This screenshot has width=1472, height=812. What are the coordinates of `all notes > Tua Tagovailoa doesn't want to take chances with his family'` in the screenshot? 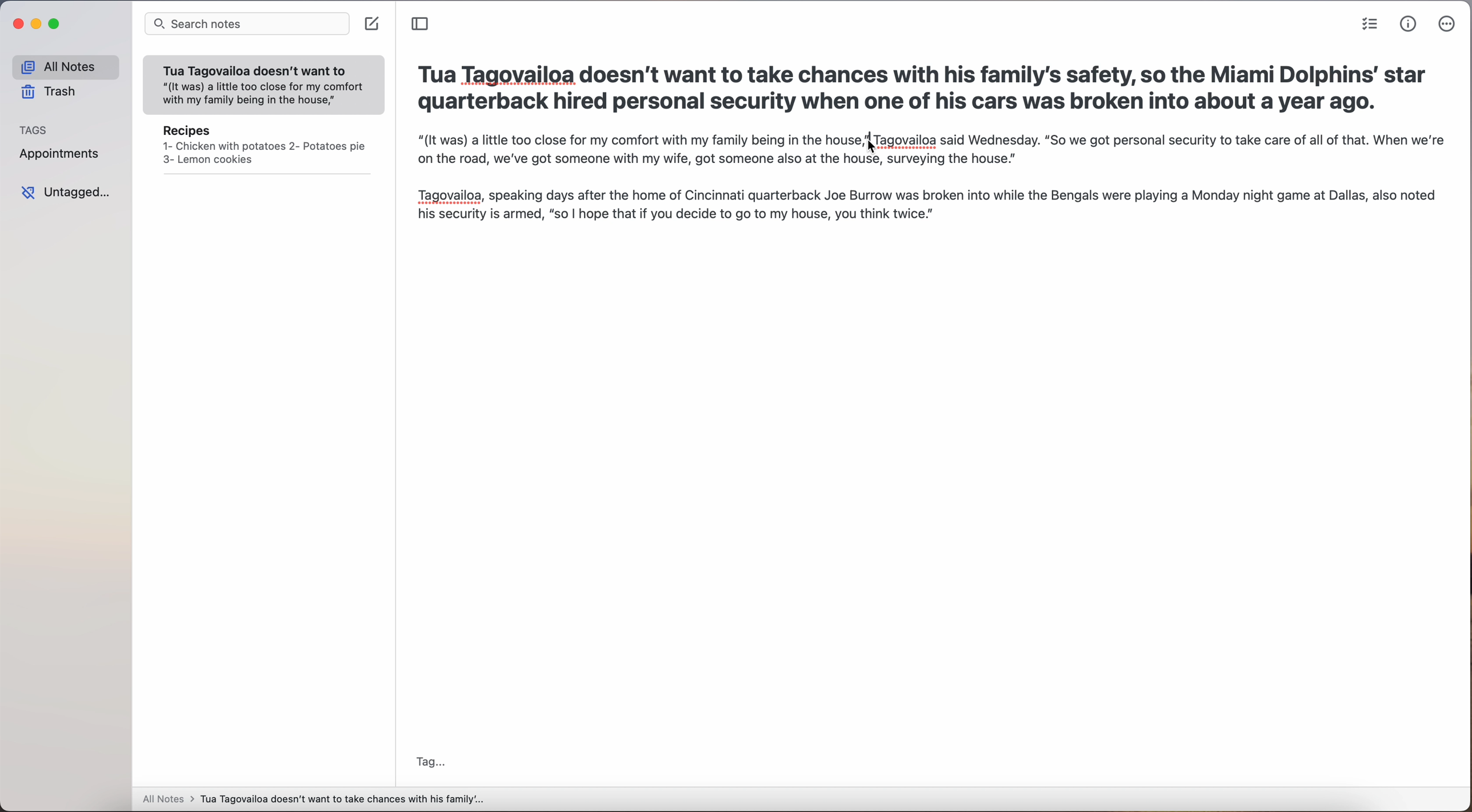 It's located at (314, 801).